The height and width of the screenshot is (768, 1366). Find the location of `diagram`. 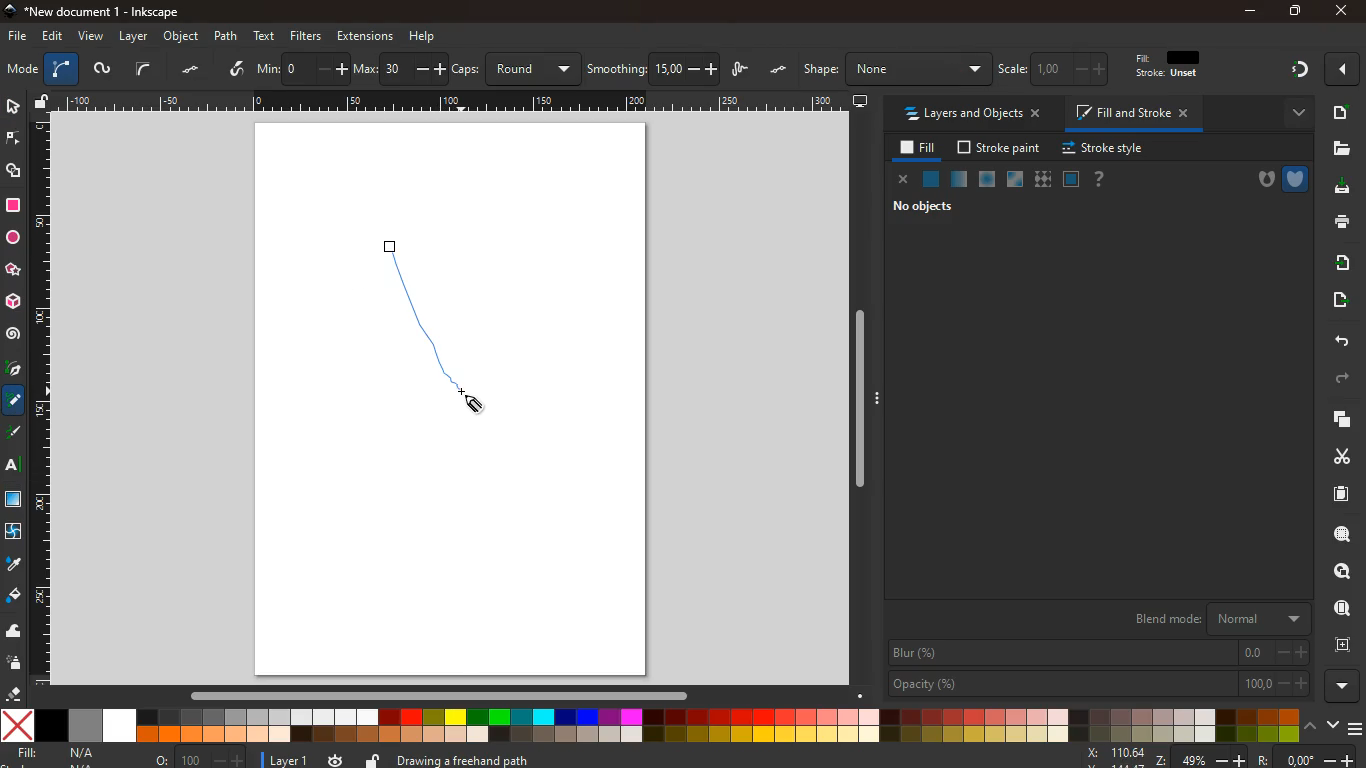

diagram is located at coordinates (1299, 72).